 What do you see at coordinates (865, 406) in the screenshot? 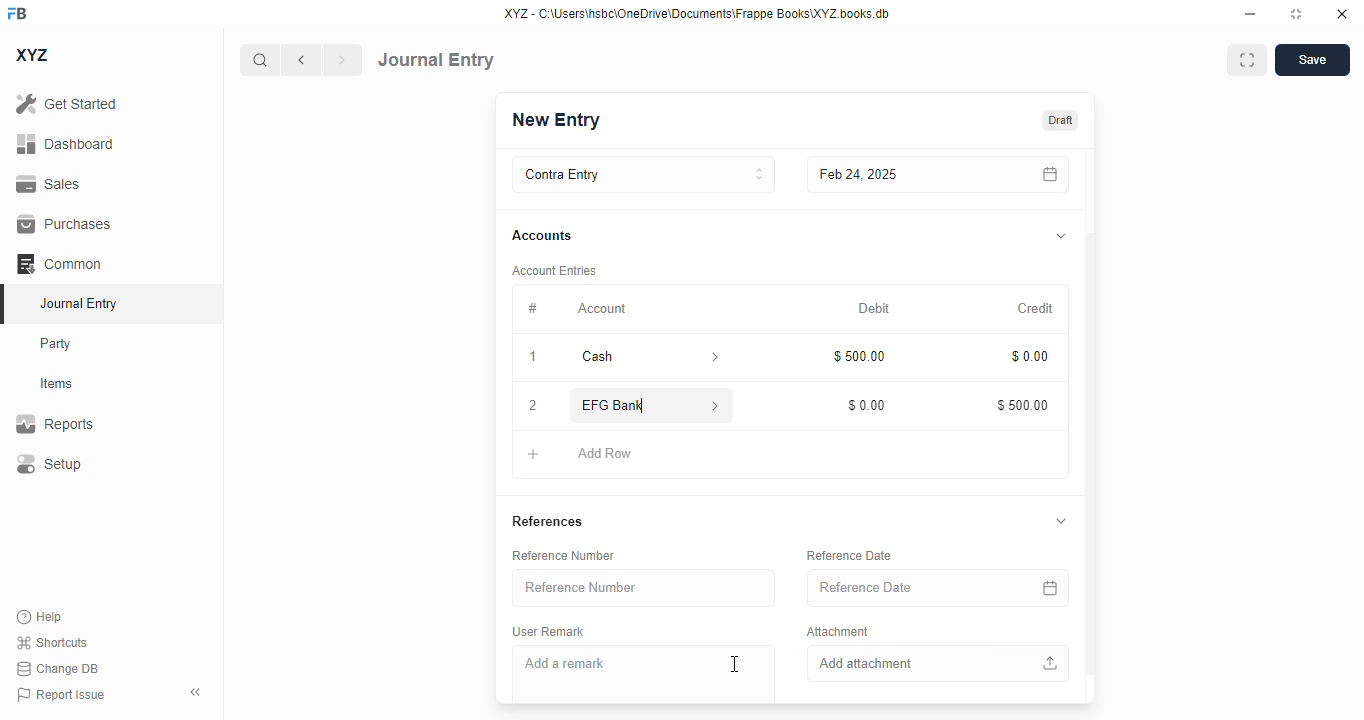
I see `$0.00` at bounding box center [865, 406].